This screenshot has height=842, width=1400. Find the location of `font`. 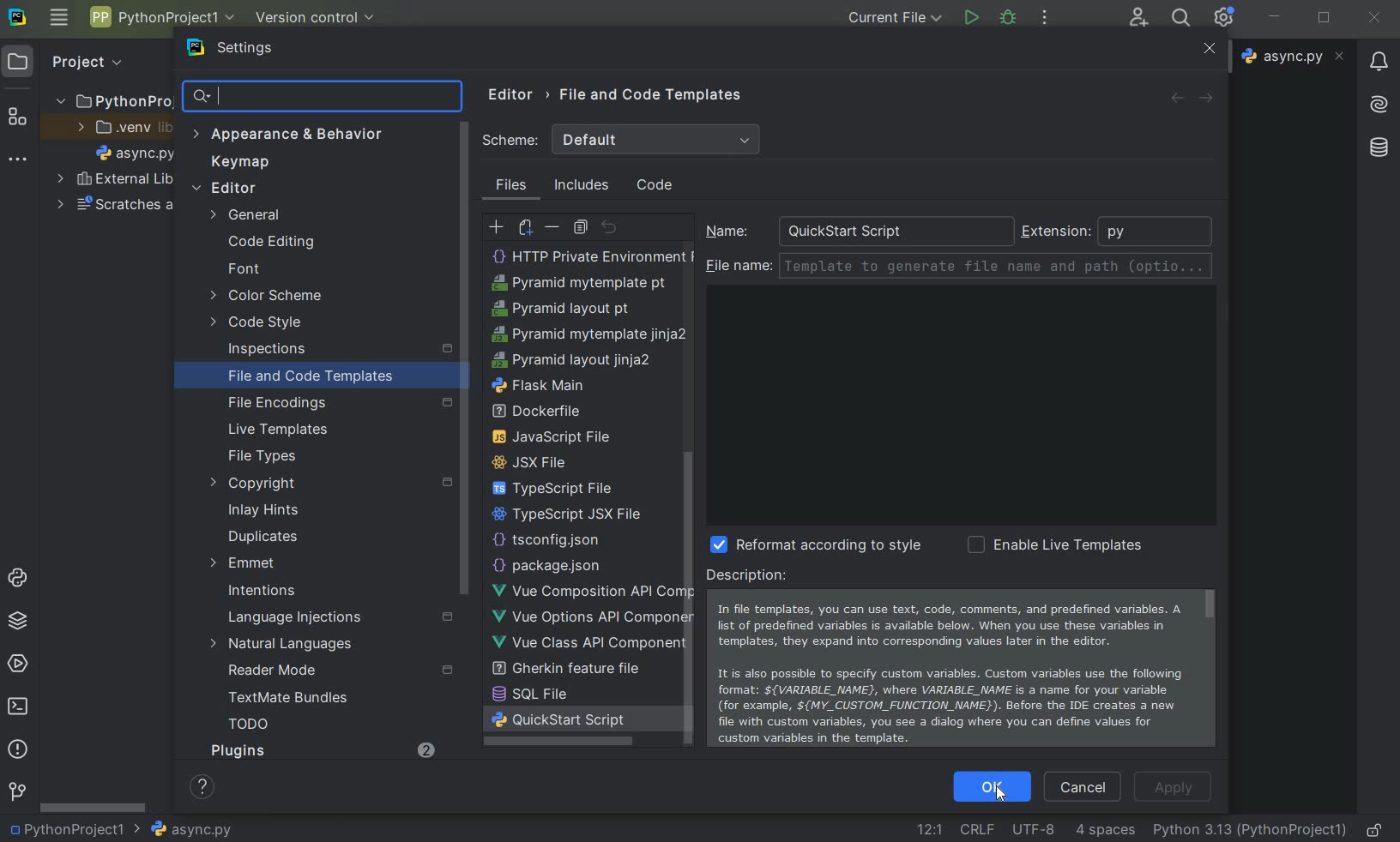

font is located at coordinates (244, 270).